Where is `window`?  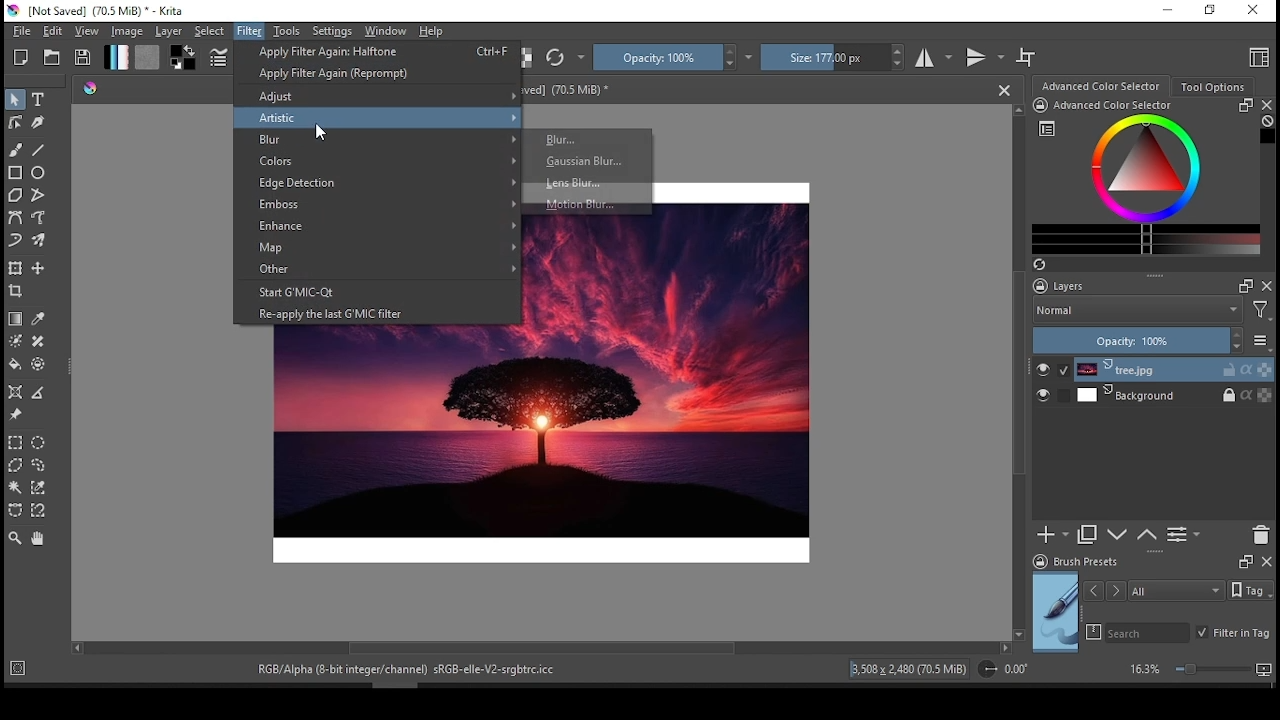
window is located at coordinates (386, 31).